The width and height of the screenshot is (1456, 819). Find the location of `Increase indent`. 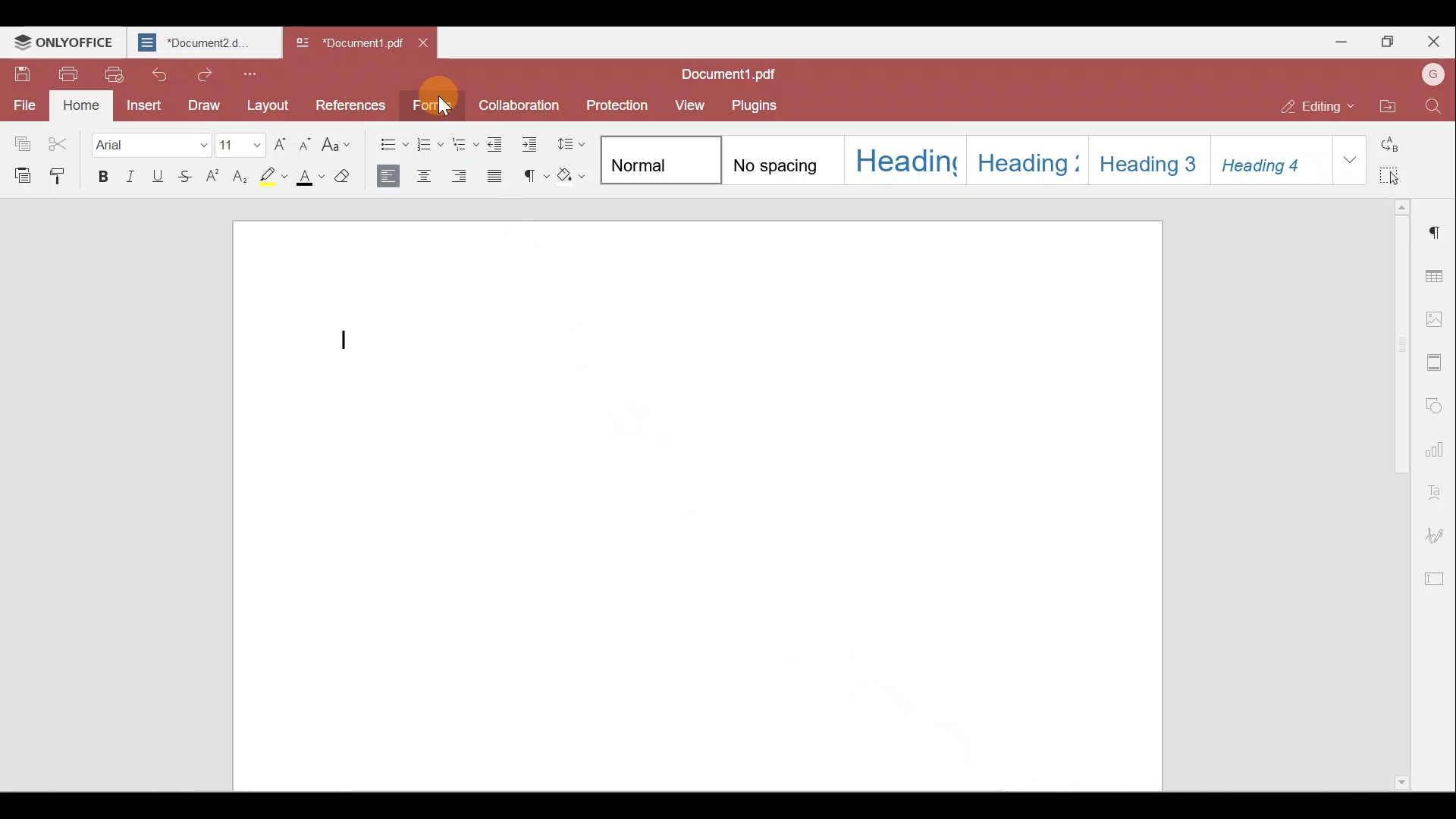

Increase indent is located at coordinates (532, 142).